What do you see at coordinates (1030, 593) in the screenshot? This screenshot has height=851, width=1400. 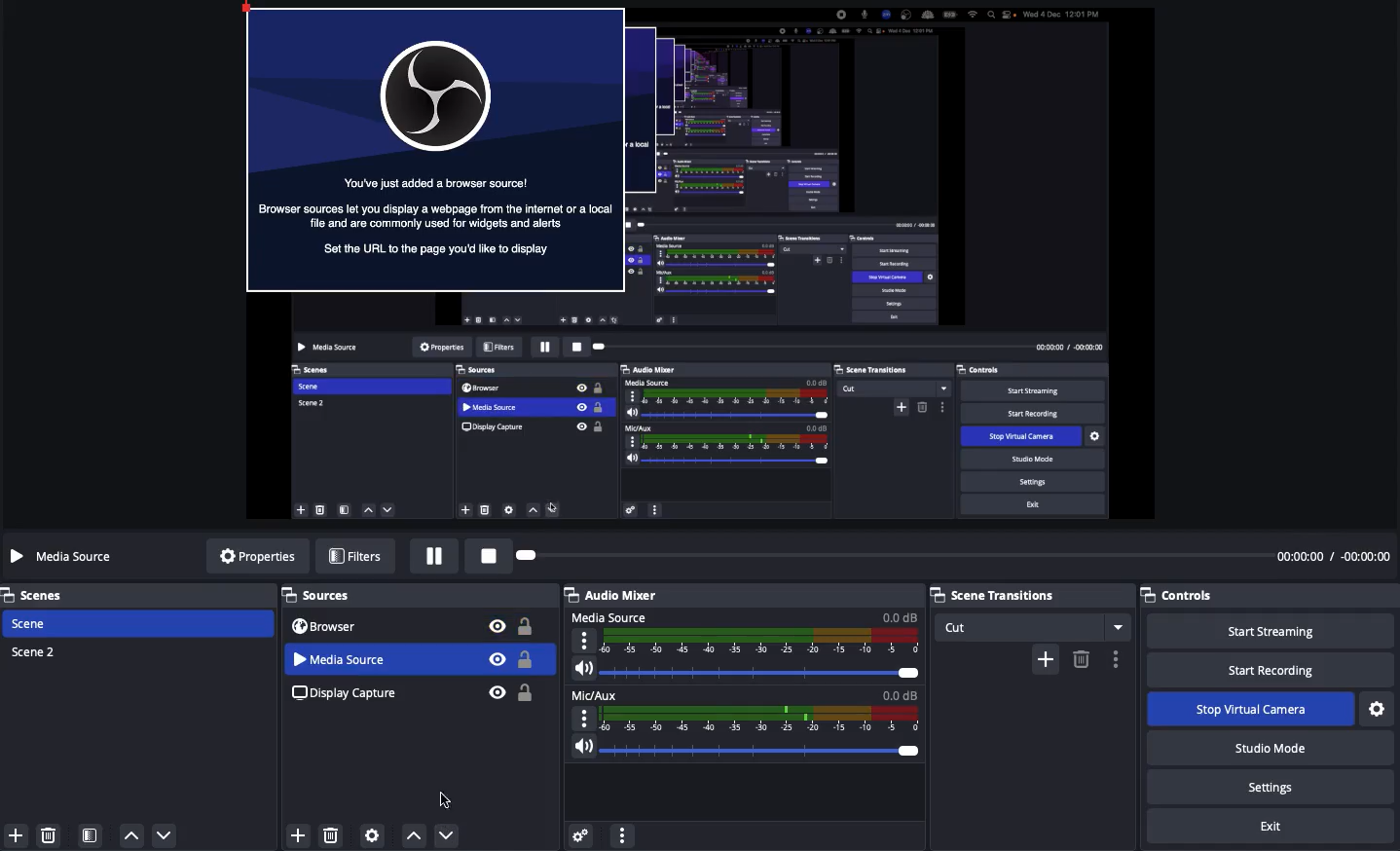 I see `Scene transition` at bounding box center [1030, 593].